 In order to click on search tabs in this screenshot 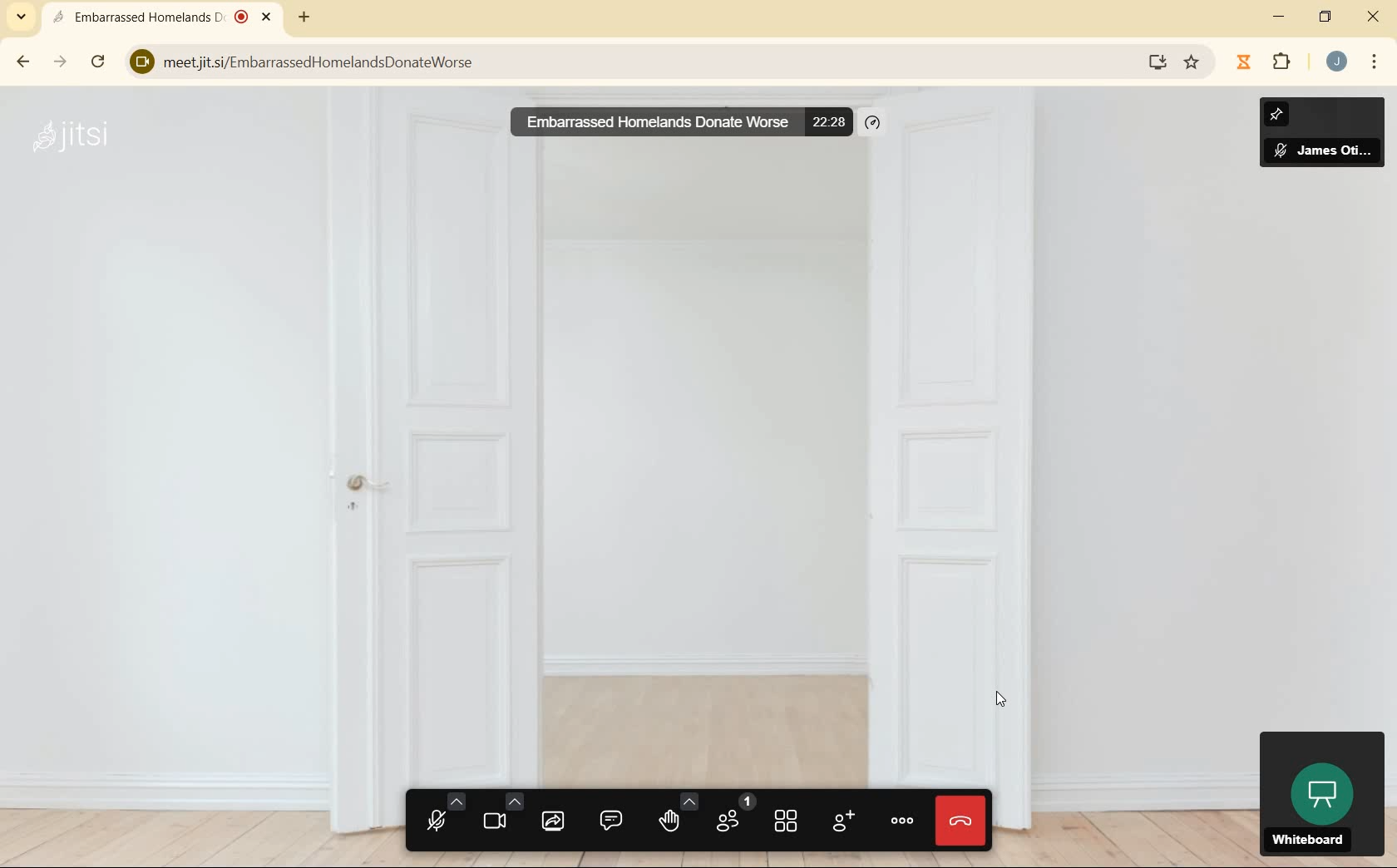, I will do `click(26, 15)`.